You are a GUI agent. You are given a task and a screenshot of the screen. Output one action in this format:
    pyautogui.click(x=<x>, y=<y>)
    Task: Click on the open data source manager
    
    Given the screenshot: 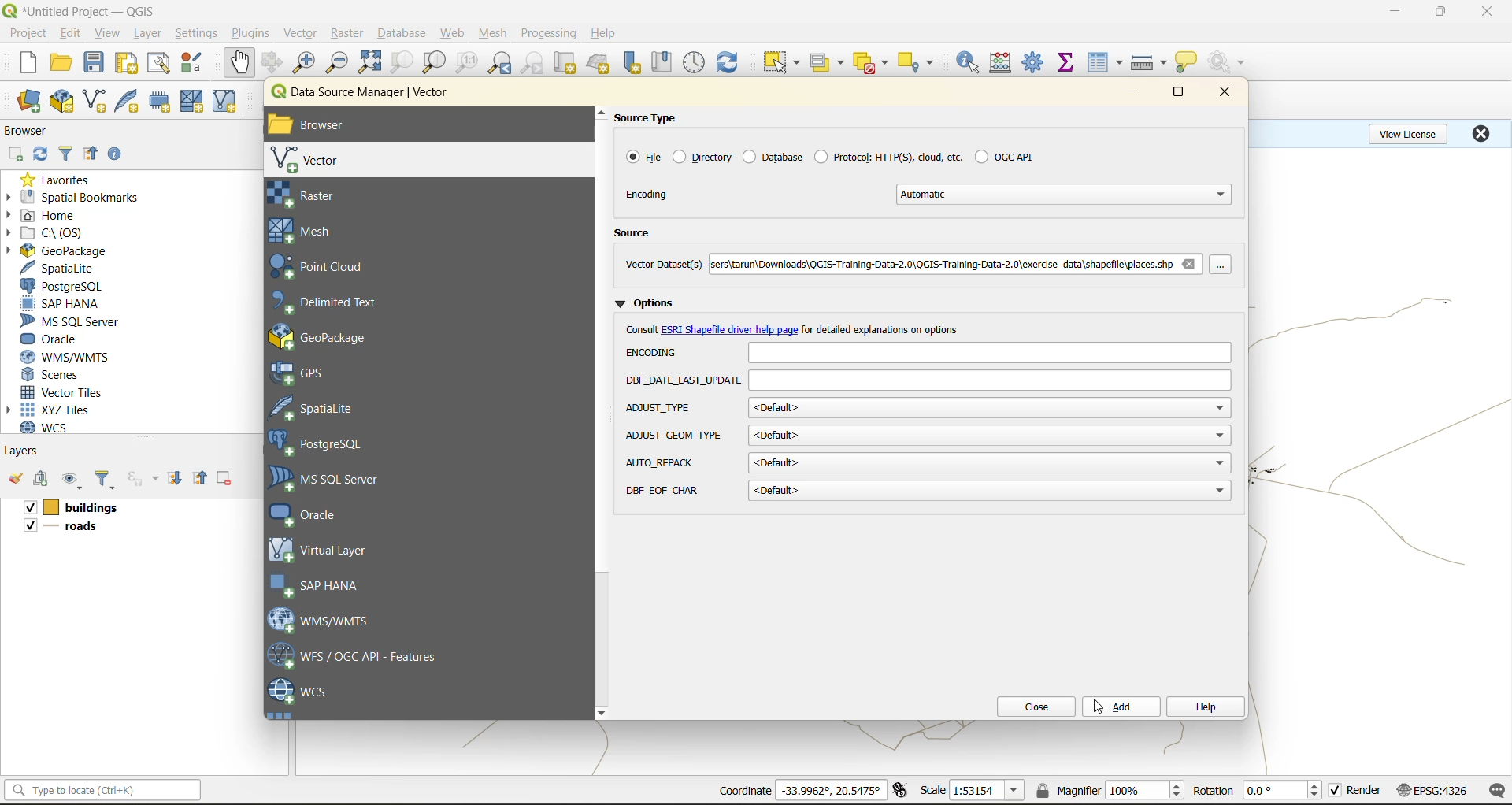 What is the action you would take?
    pyautogui.click(x=28, y=102)
    